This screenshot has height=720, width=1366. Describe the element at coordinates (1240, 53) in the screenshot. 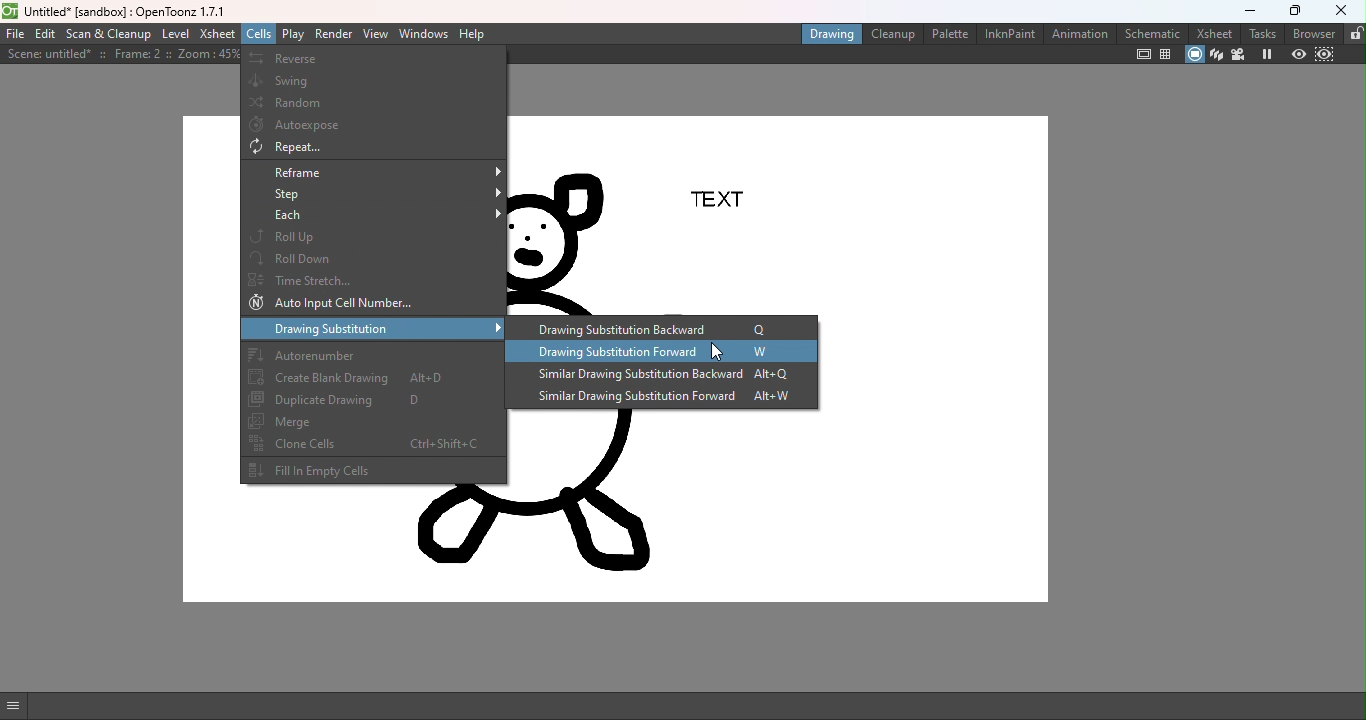

I see `Camera view` at that location.